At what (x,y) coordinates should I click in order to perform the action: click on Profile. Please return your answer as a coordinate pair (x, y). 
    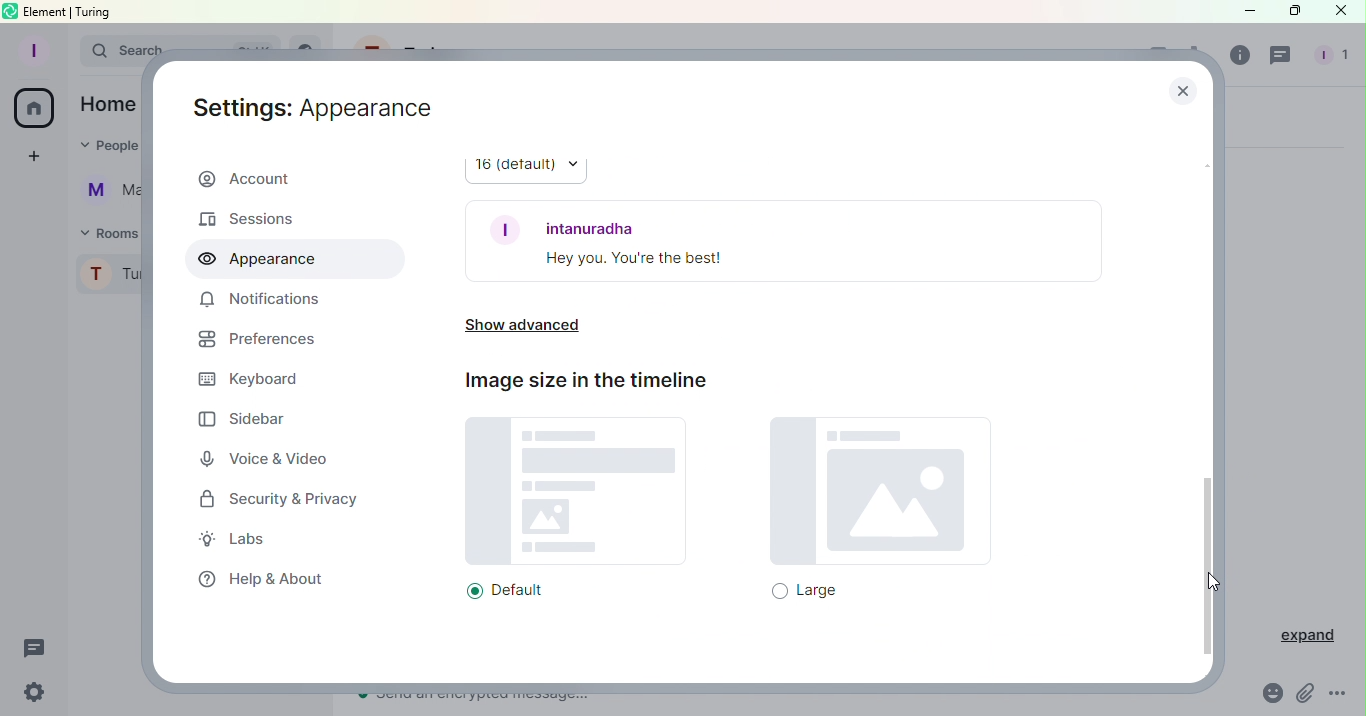
    Looking at the image, I should click on (29, 49).